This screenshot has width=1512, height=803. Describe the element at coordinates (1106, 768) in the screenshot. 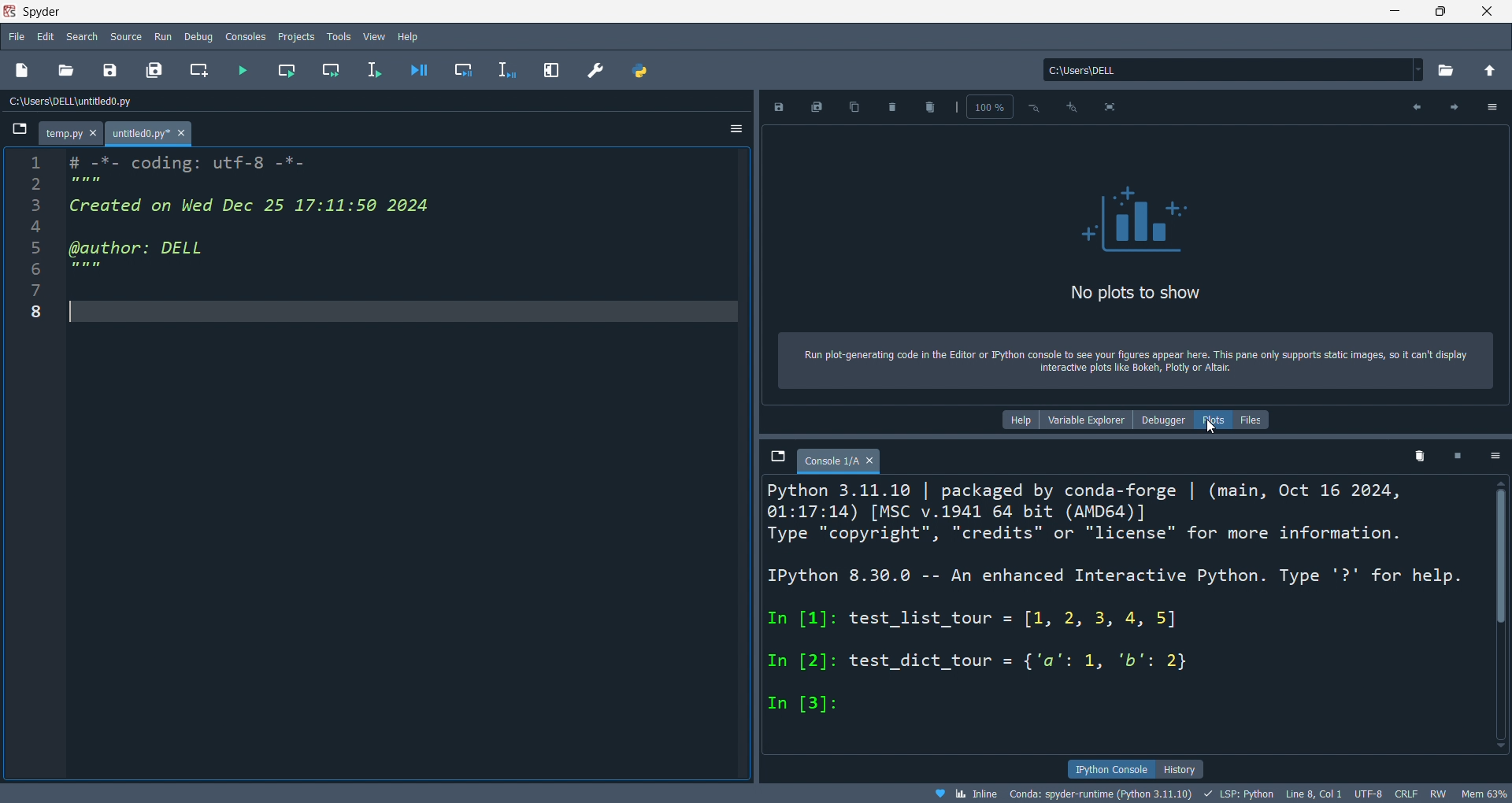

I see `ipyhton console` at that location.